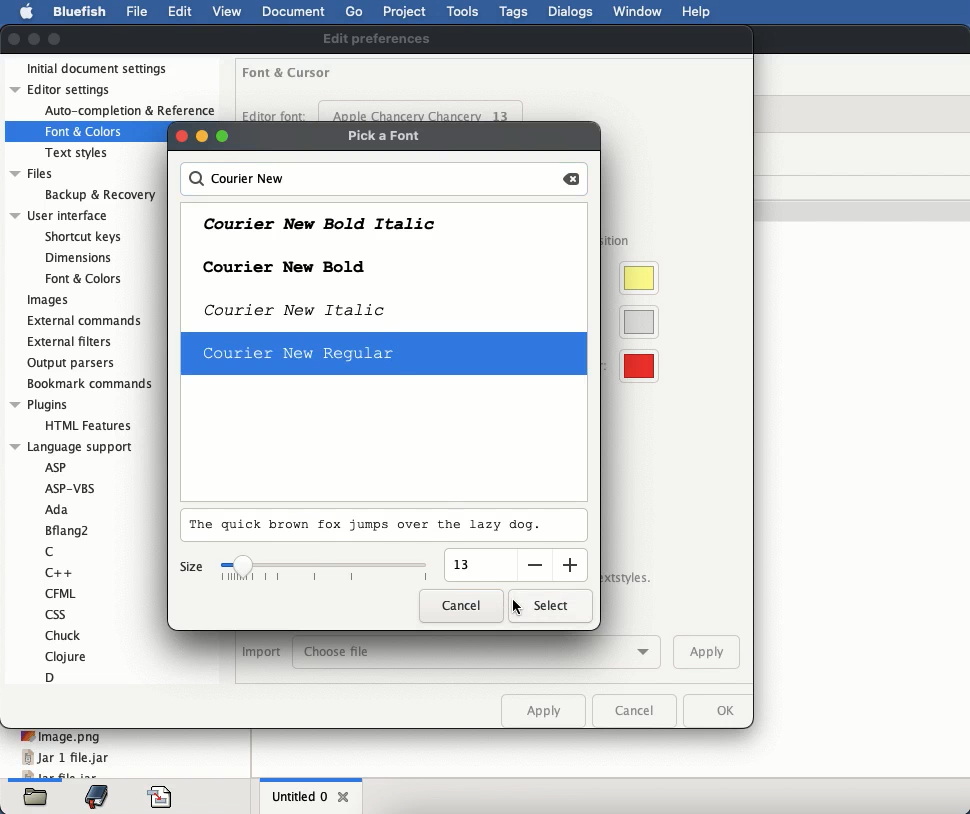  Describe the element at coordinates (70, 342) in the screenshot. I see `external filters ` at that location.